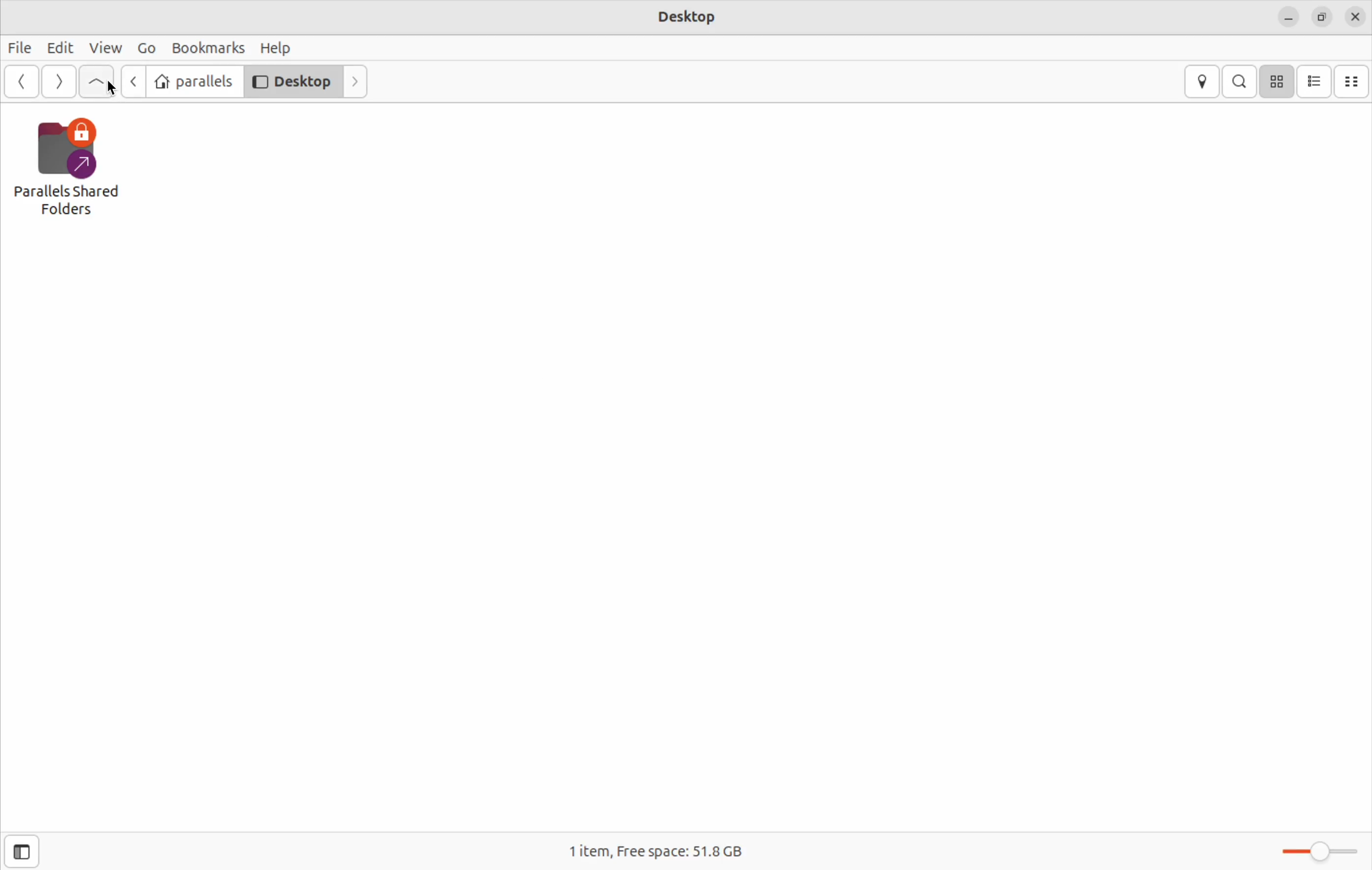 Image resolution: width=1372 pixels, height=870 pixels. What do you see at coordinates (23, 48) in the screenshot?
I see `file` at bounding box center [23, 48].